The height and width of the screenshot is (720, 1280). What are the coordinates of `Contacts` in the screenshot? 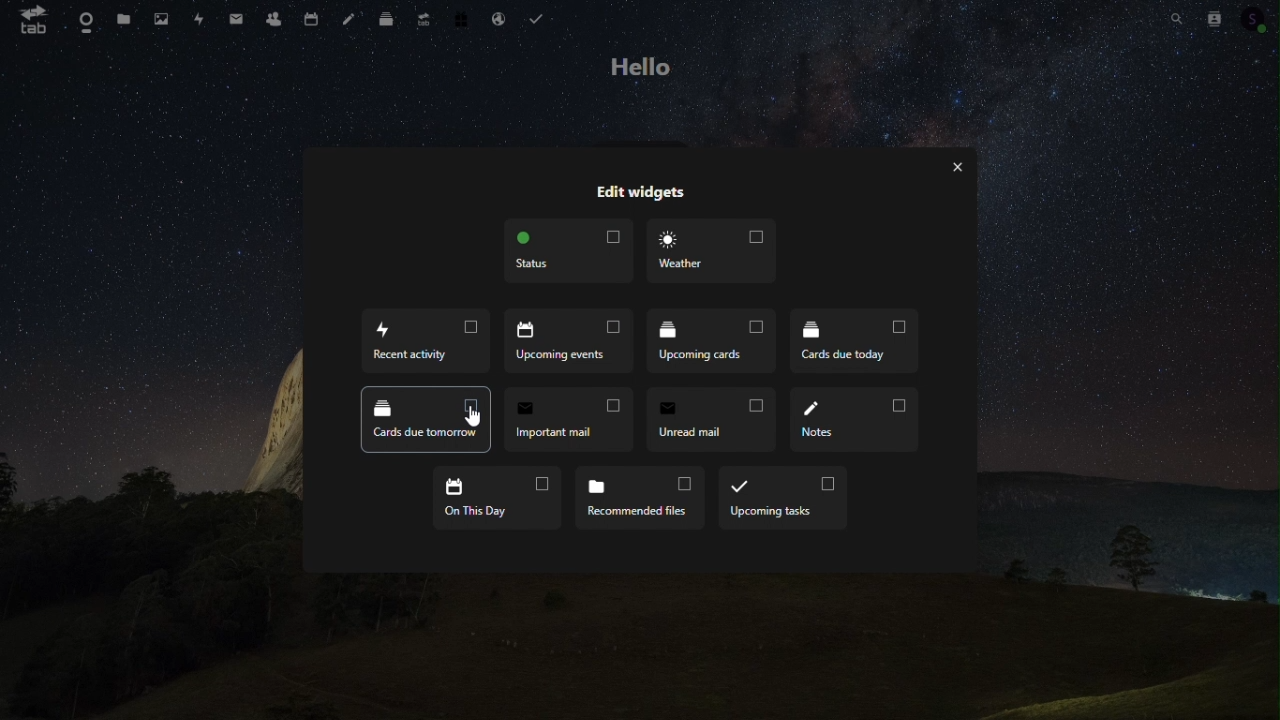 It's located at (1215, 16).